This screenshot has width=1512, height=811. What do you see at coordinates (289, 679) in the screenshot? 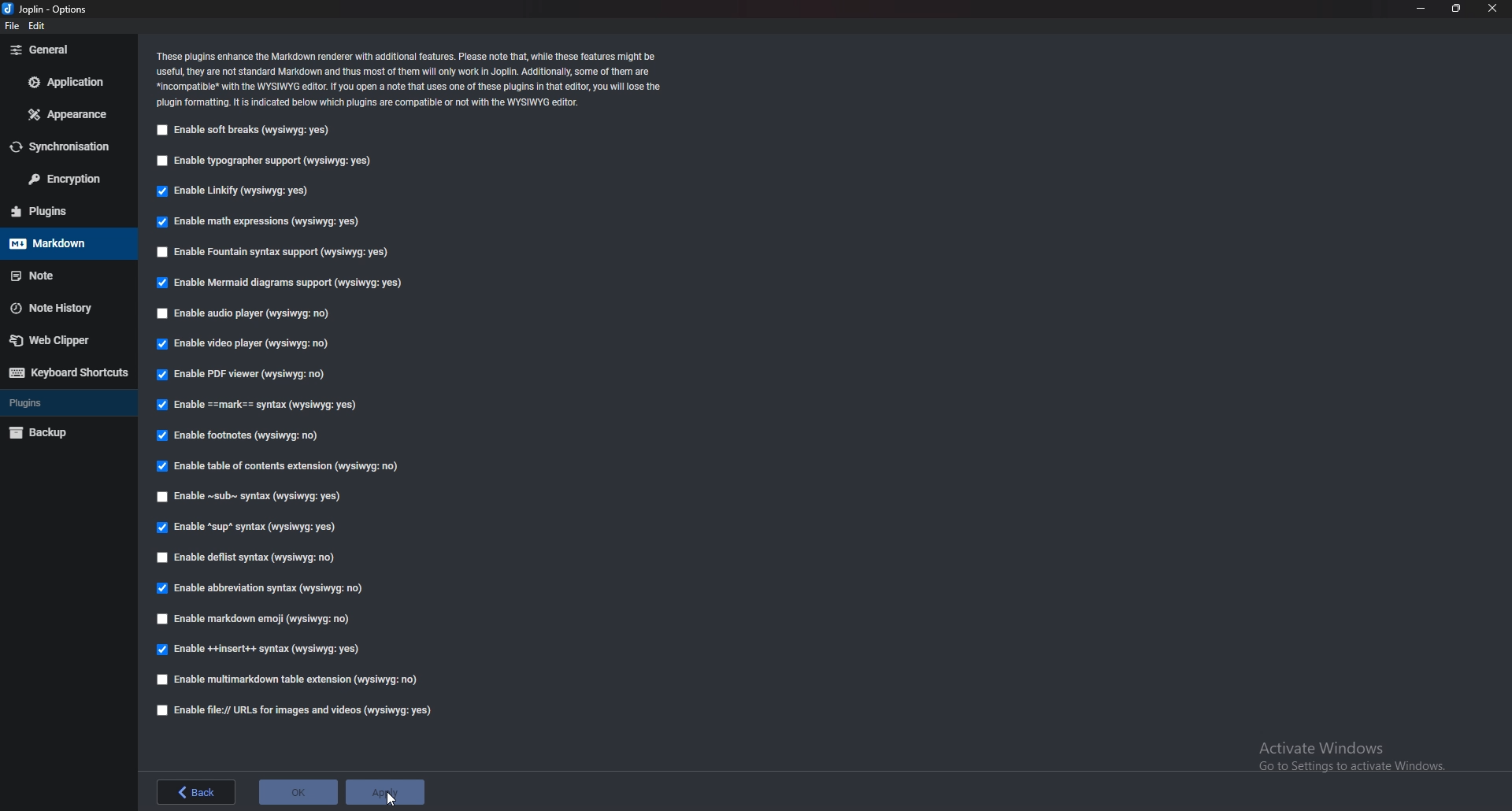
I see `enable multimarkdown table extension` at bounding box center [289, 679].